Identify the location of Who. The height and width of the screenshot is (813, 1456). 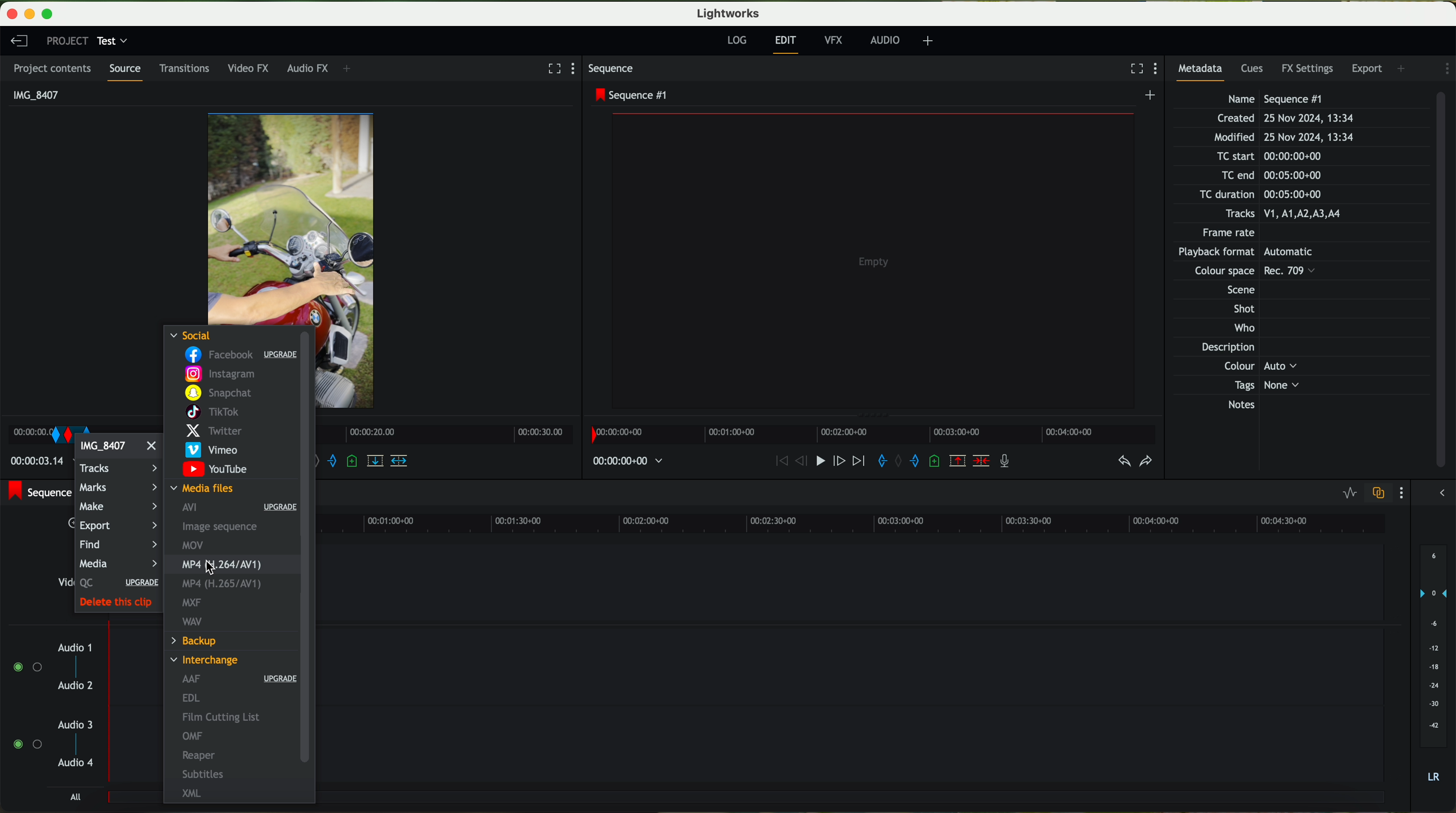
(1242, 329).